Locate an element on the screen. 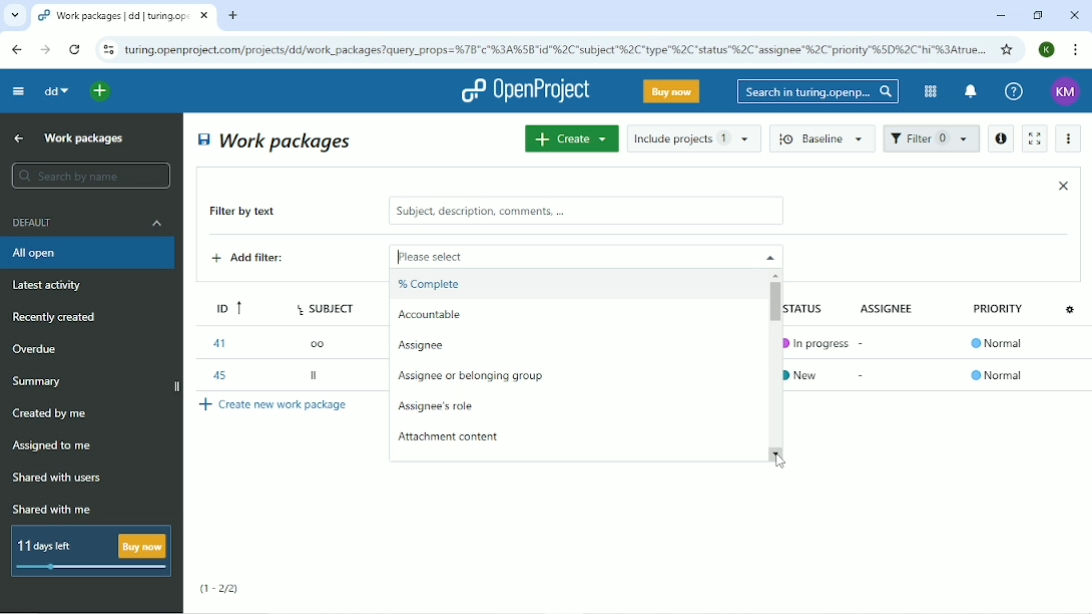 This screenshot has height=614, width=1092. Shared with users is located at coordinates (58, 478).